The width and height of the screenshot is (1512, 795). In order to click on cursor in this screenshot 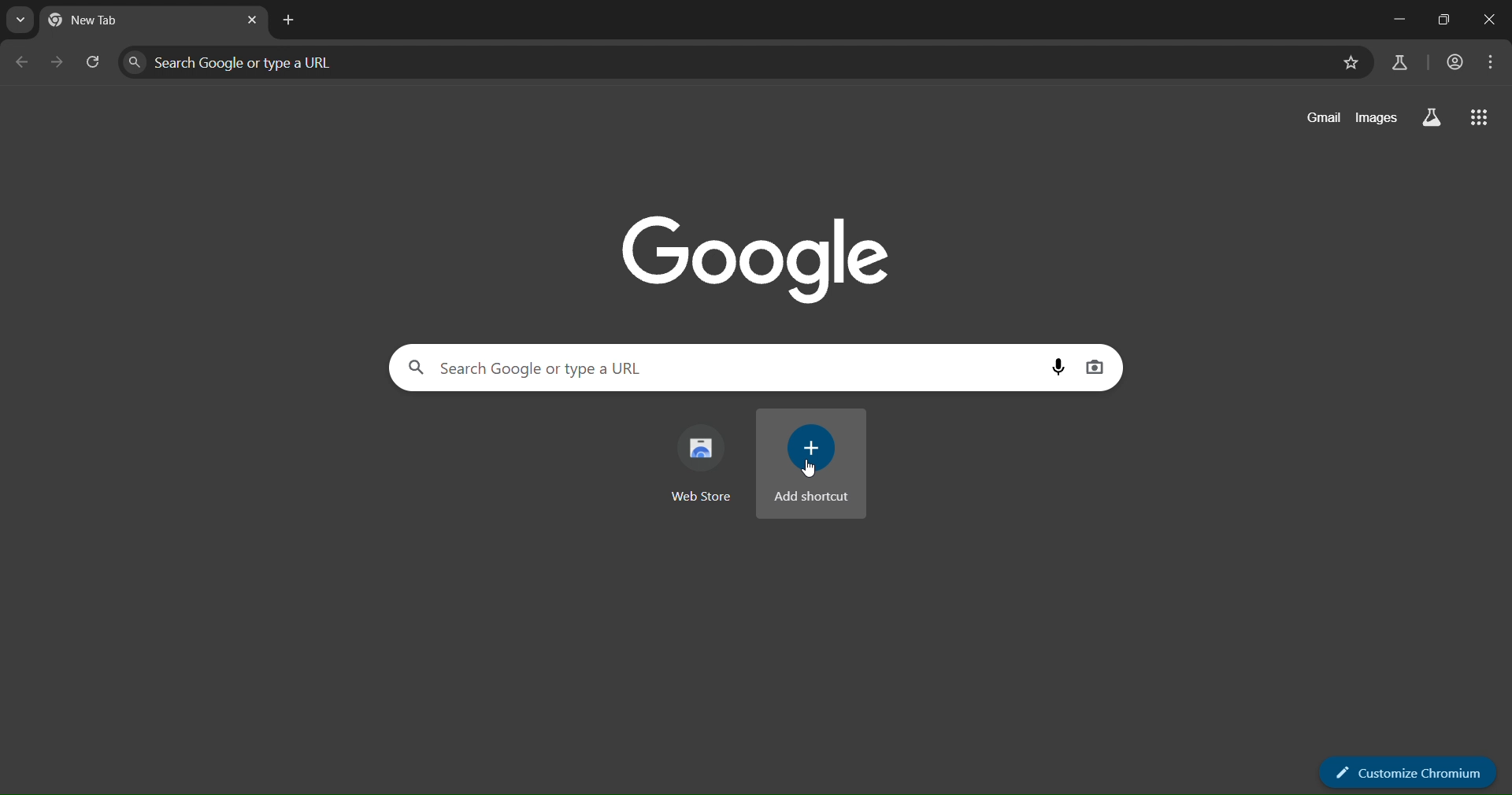, I will do `click(810, 468)`.